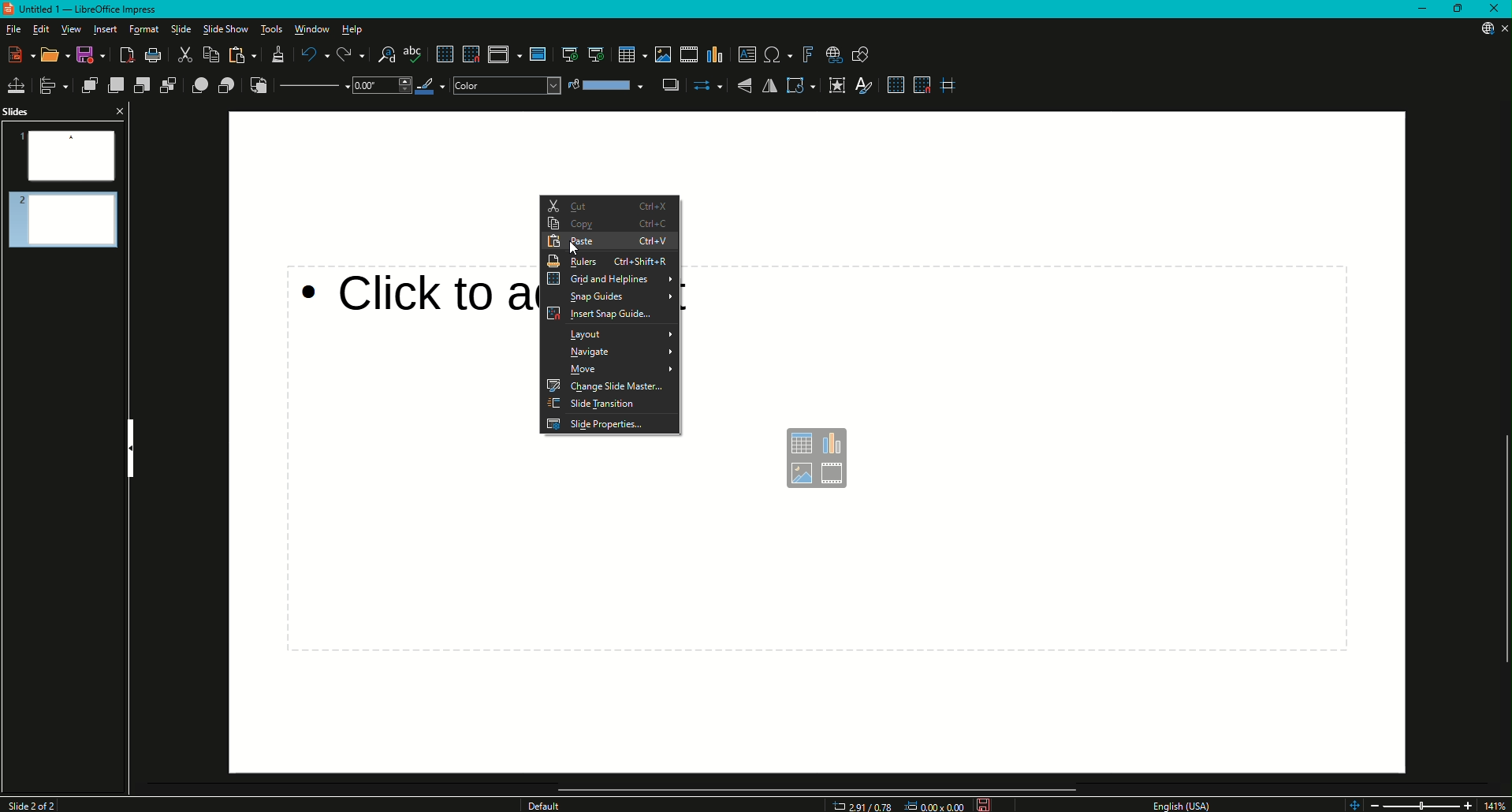 The width and height of the screenshot is (1512, 812). I want to click on Zoom controls, so click(1351, 802).